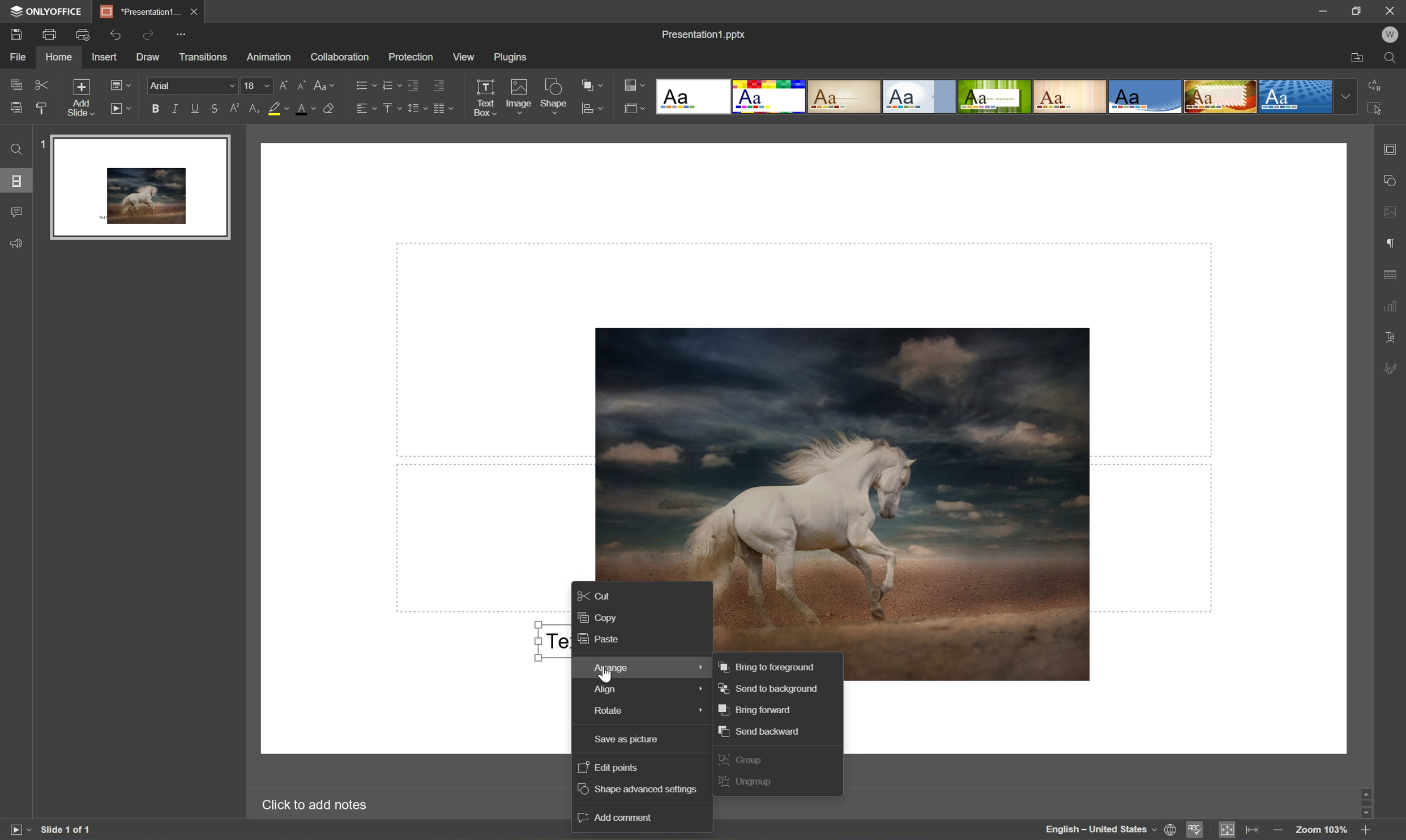 Image resolution: width=1406 pixels, height=840 pixels. I want to click on Strikethrough, so click(215, 108).